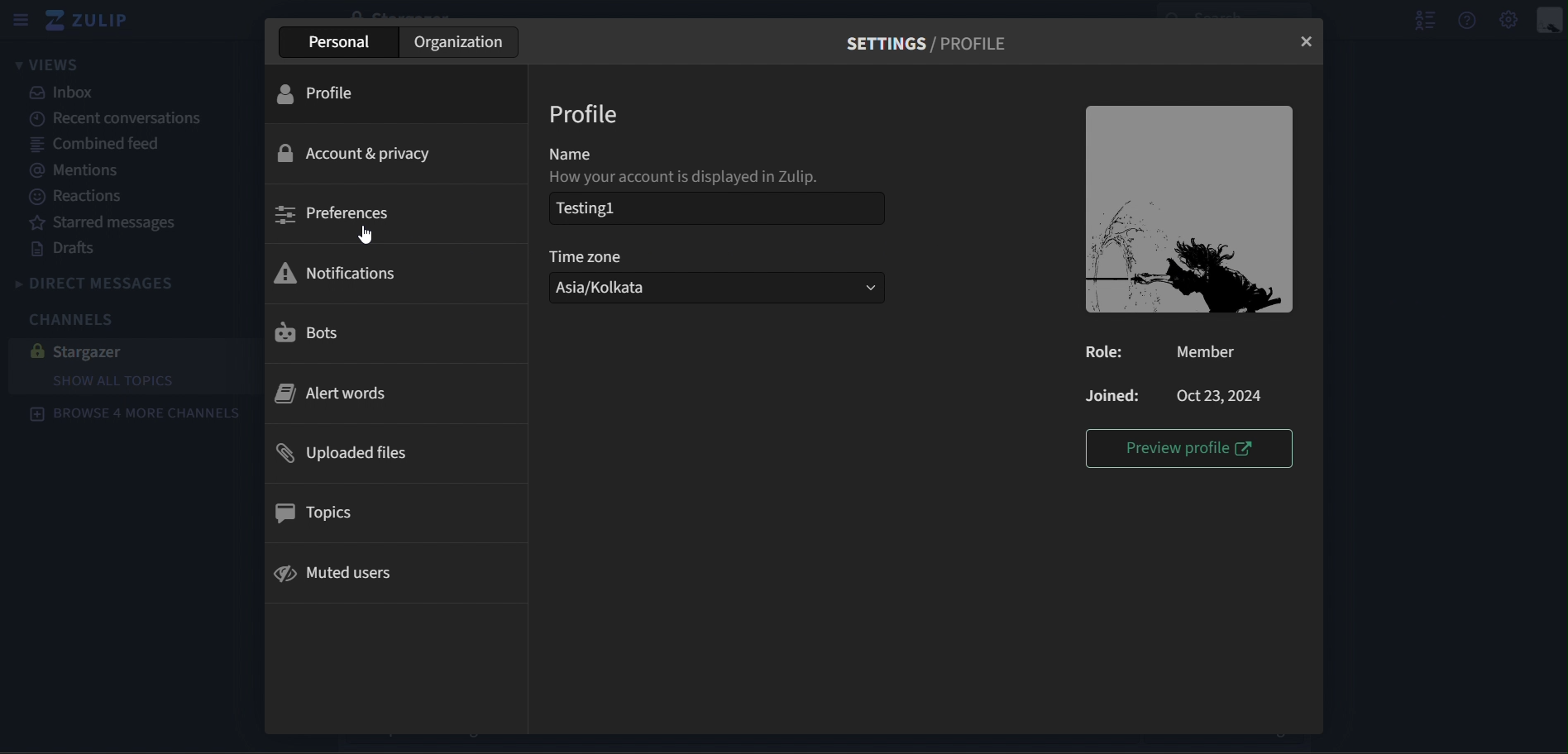  What do you see at coordinates (584, 113) in the screenshot?
I see `profile` at bounding box center [584, 113].